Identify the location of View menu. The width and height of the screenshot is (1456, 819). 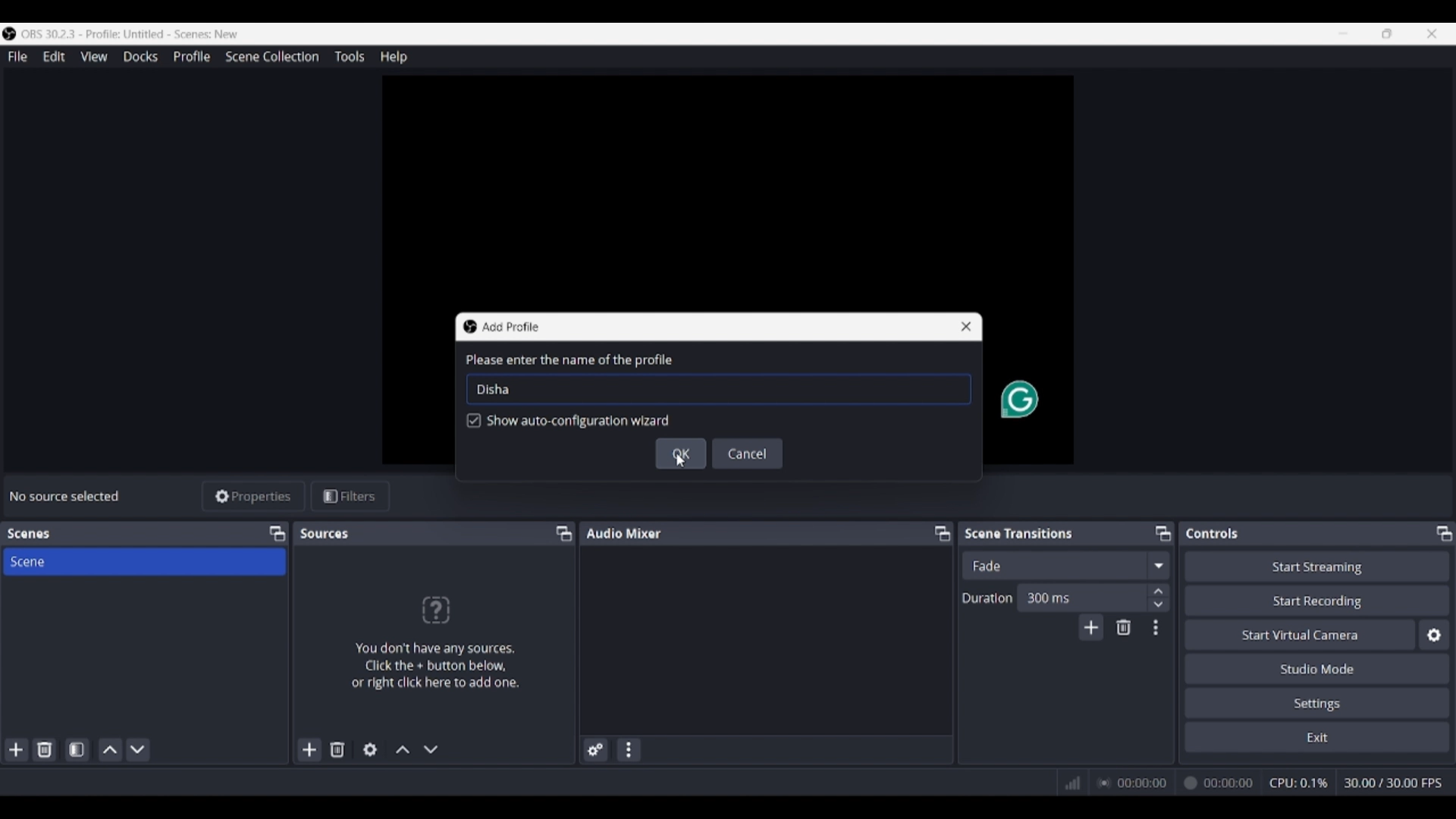
(94, 56).